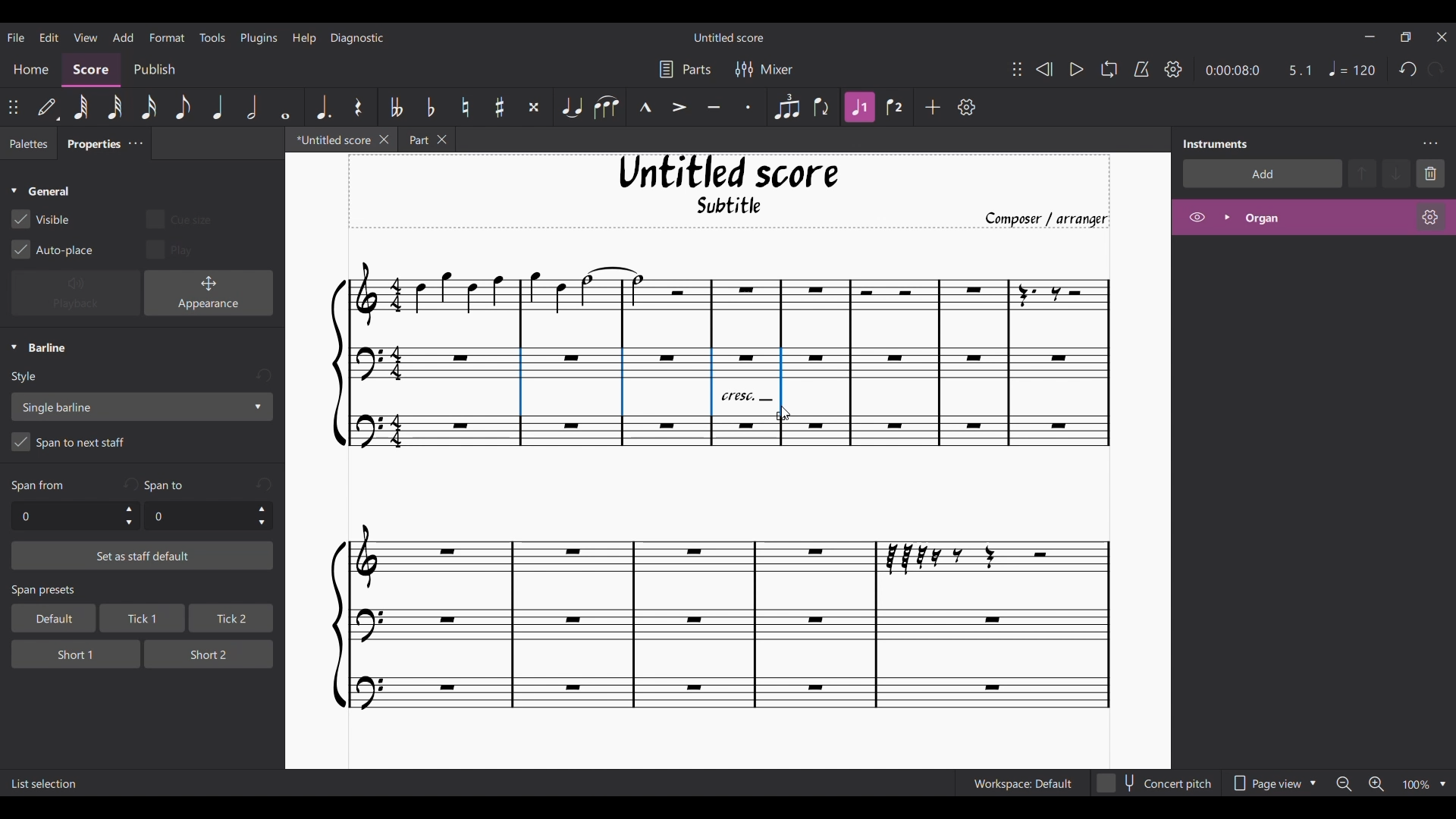  Describe the element at coordinates (41, 219) in the screenshot. I see `Toggle for Visible` at that location.